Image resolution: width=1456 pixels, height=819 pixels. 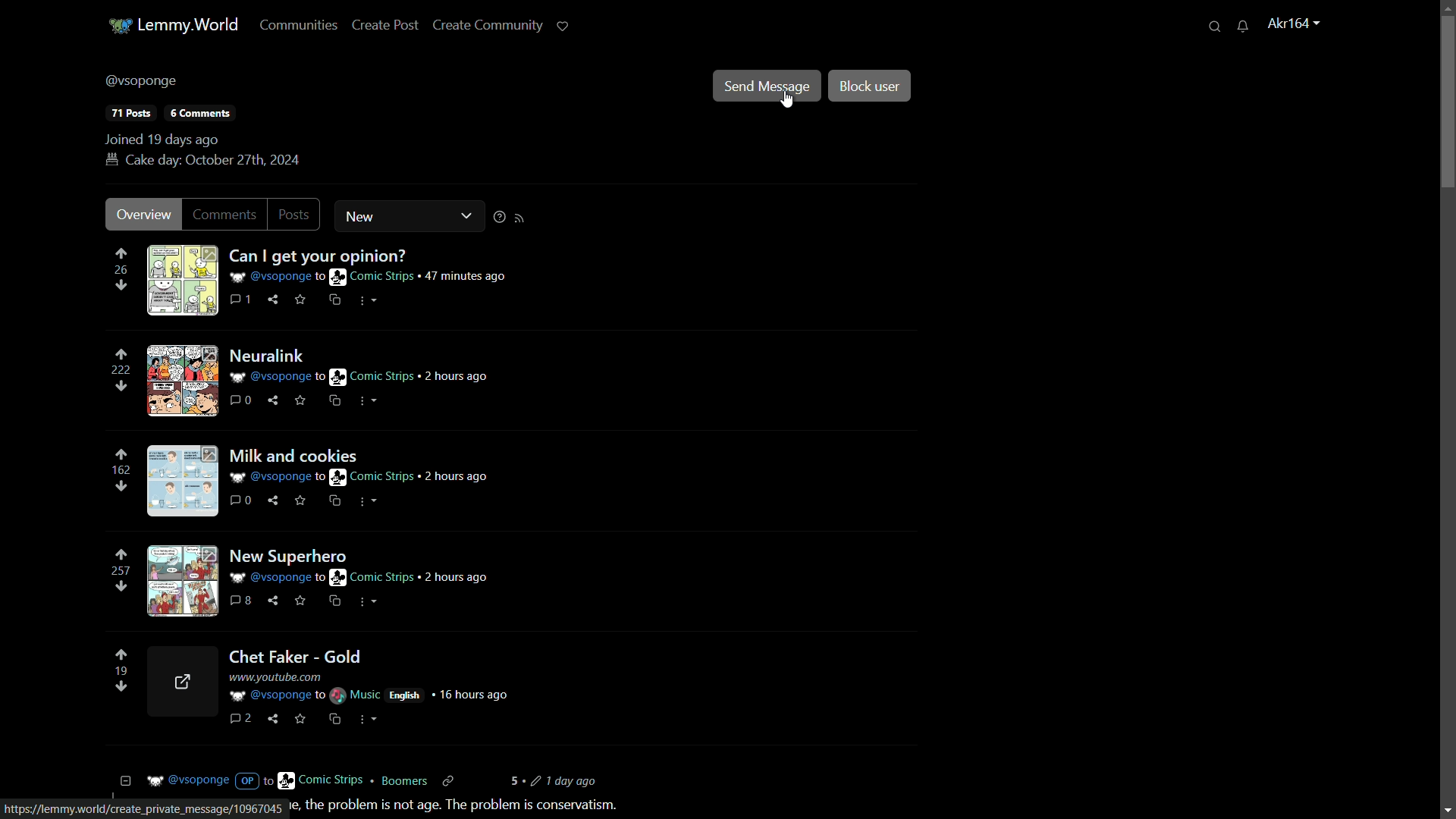 What do you see at coordinates (121, 384) in the screenshot?
I see `downvote` at bounding box center [121, 384].